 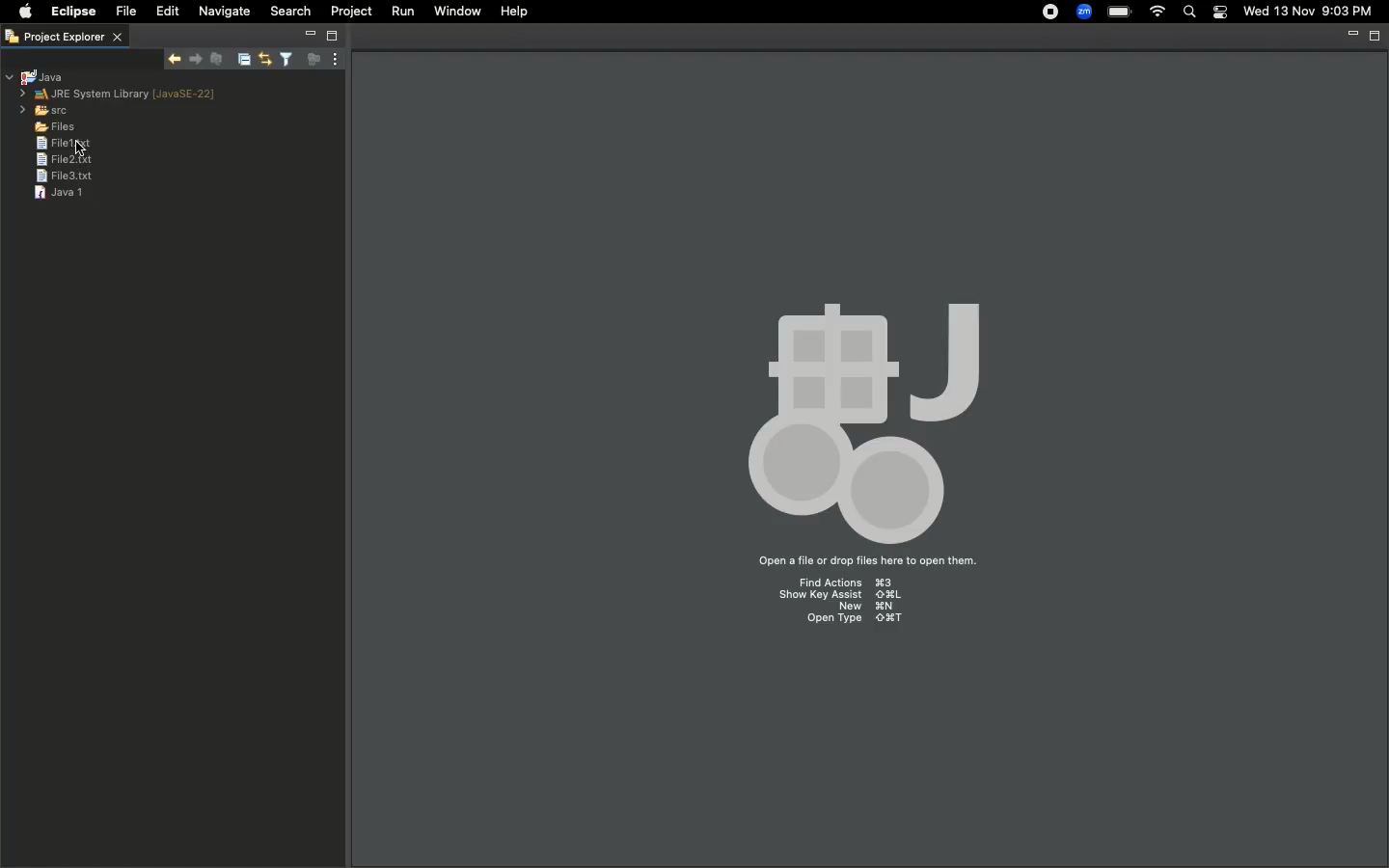 I want to click on Zoom, so click(x=1084, y=12).